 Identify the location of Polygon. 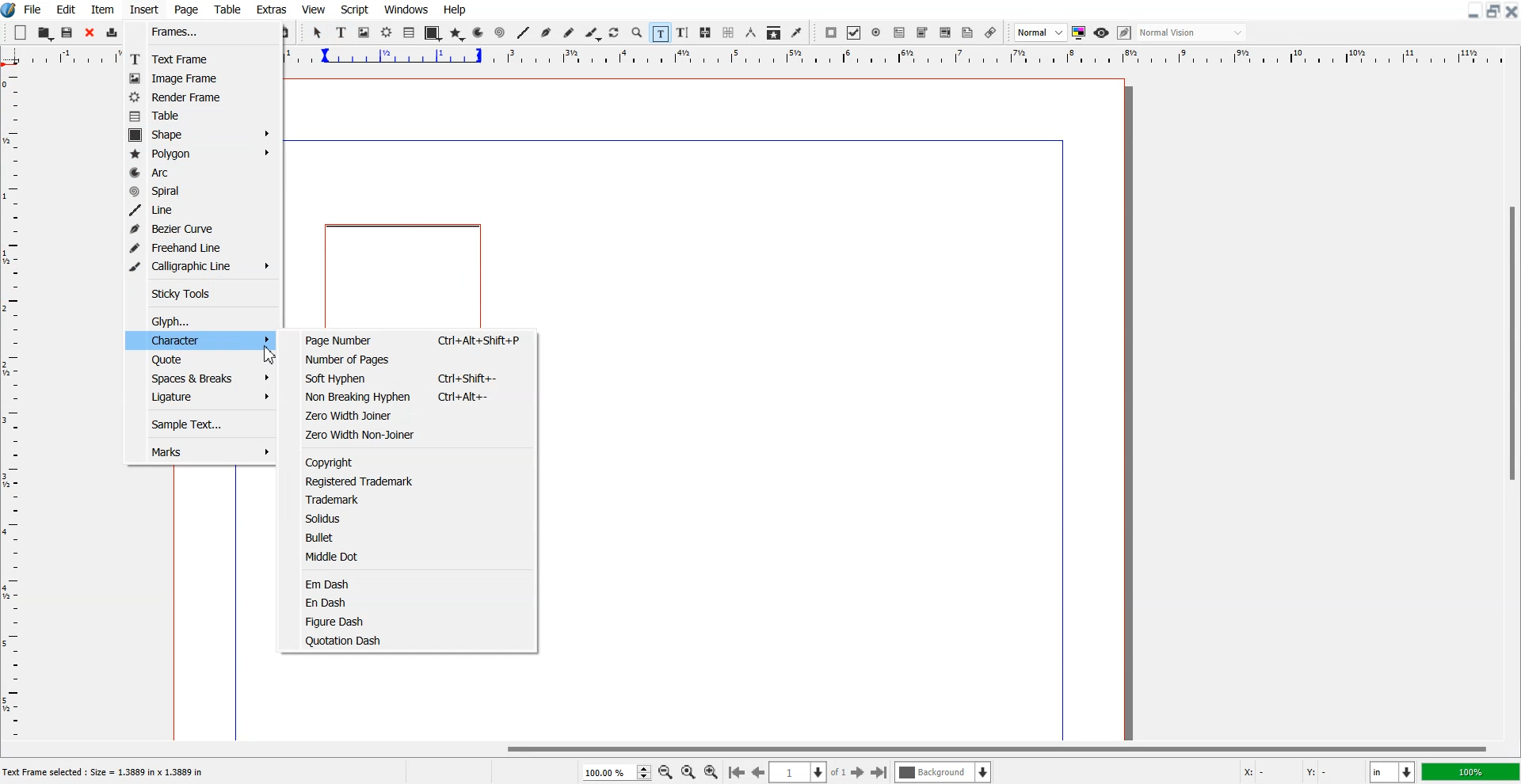
(457, 33).